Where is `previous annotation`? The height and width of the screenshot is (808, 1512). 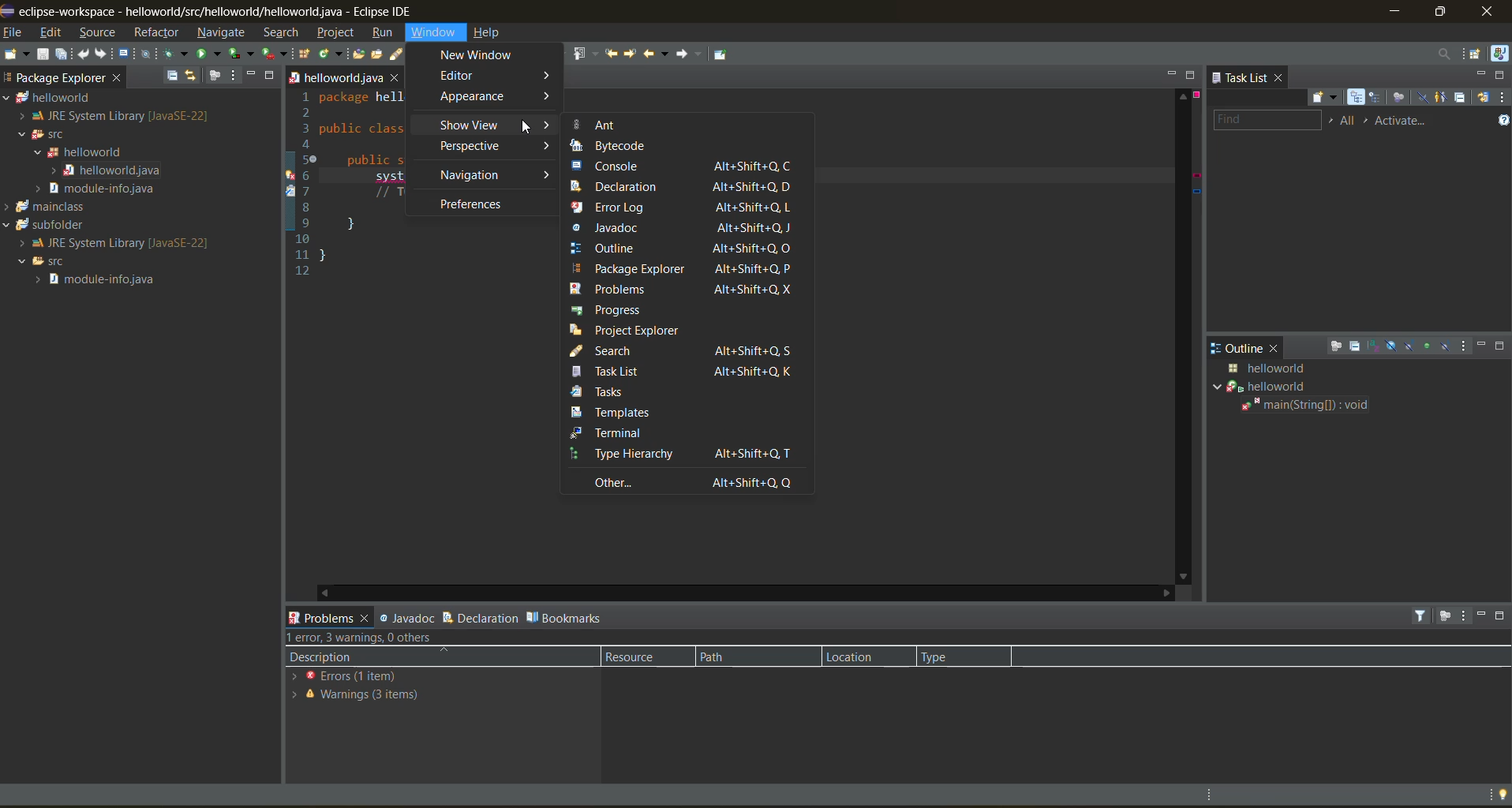 previous annotation is located at coordinates (587, 54).